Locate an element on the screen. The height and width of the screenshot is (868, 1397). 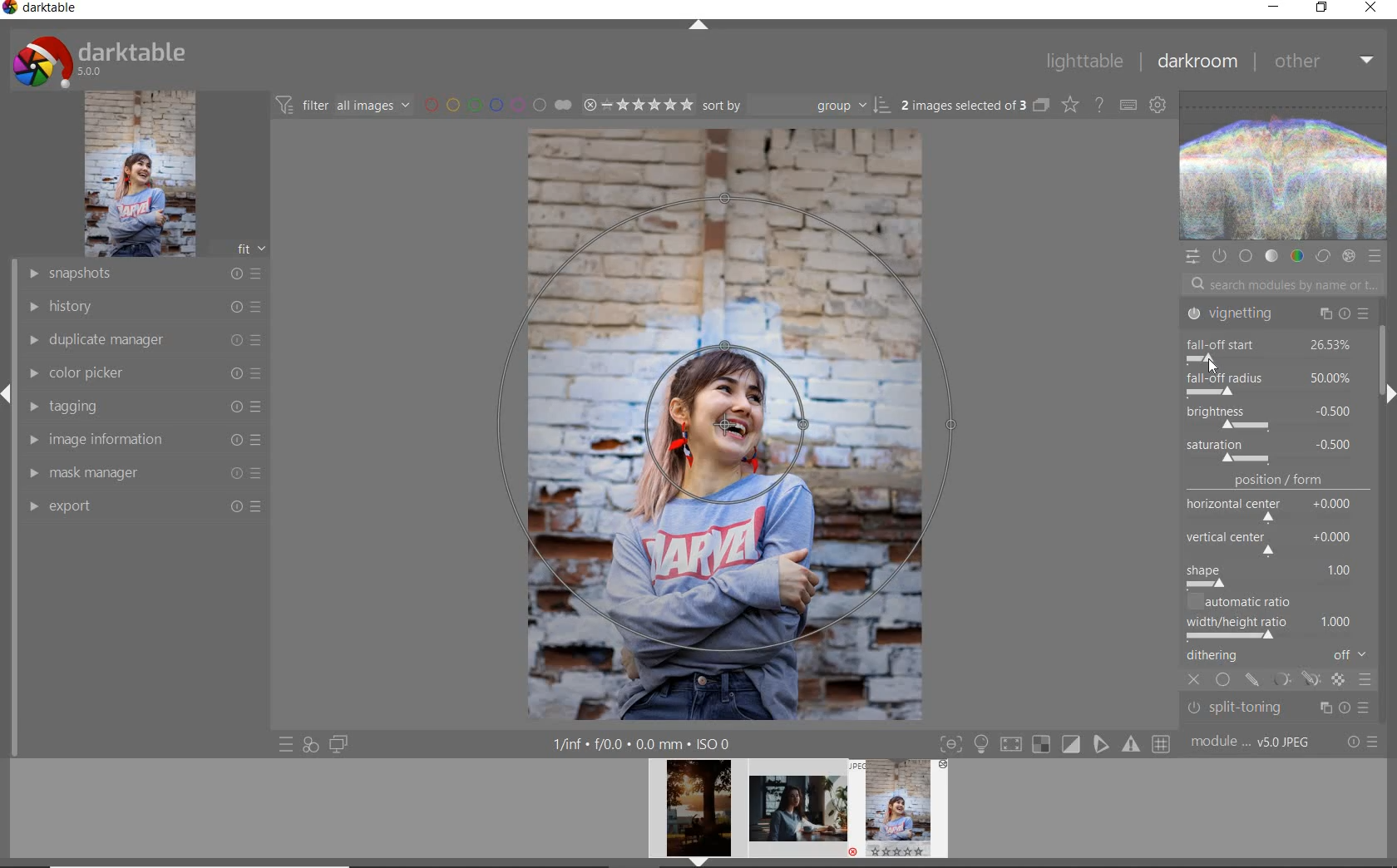
DARKROOM is located at coordinates (1197, 62).